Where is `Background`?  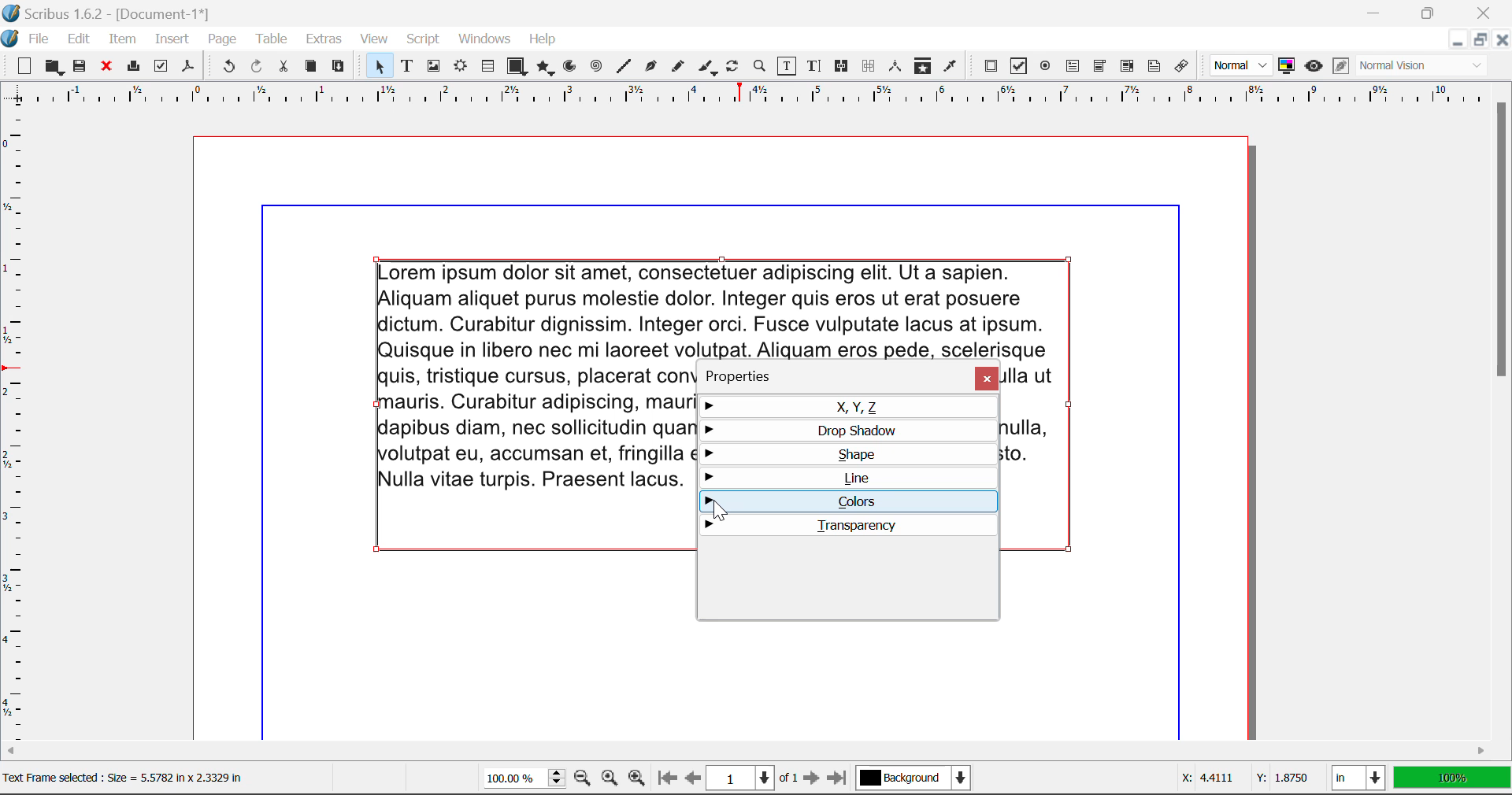
Background is located at coordinates (917, 778).